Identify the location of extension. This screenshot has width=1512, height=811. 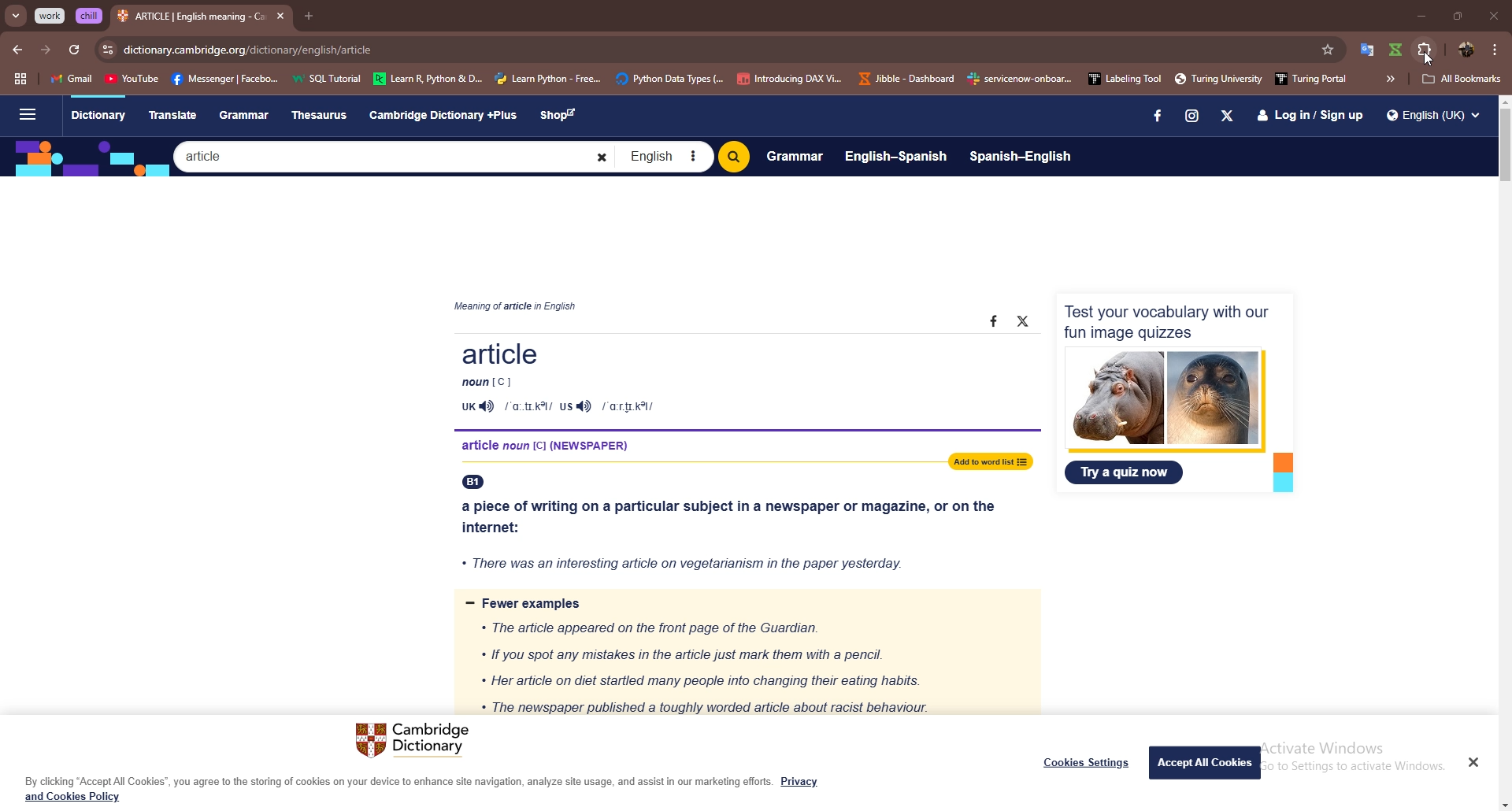
(1396, 50).